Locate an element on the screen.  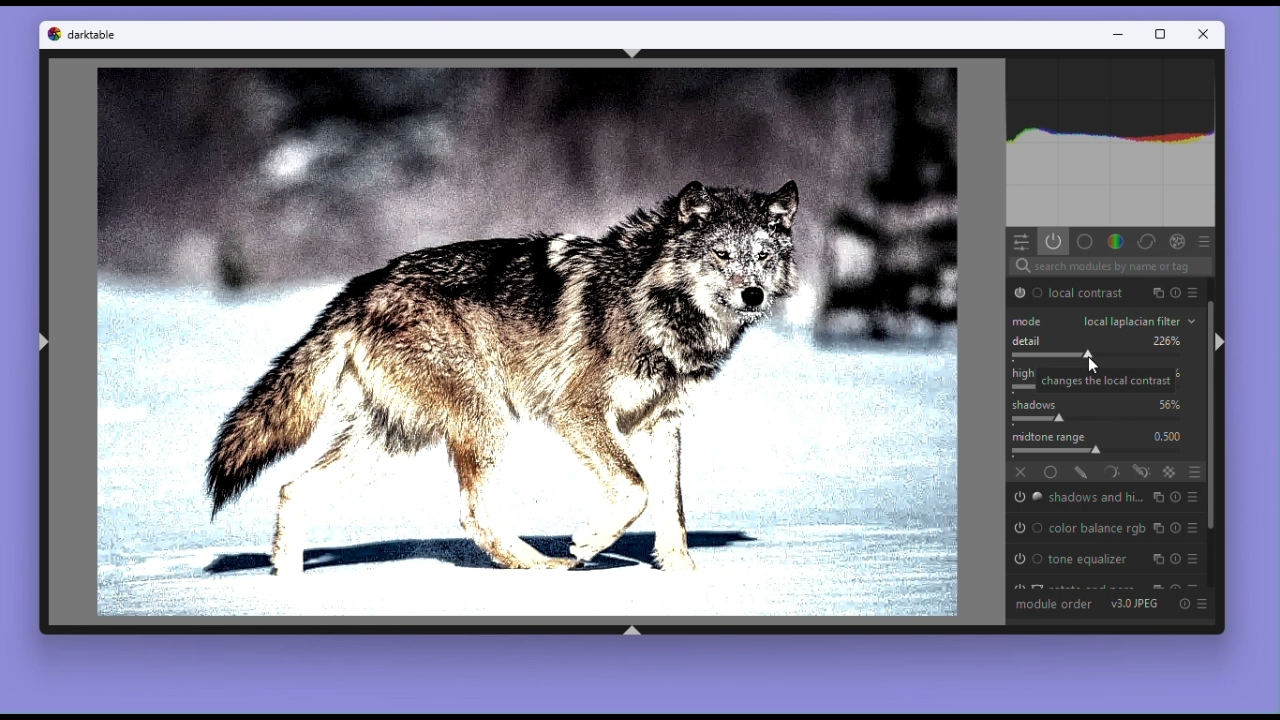
search modules by name or tag is located at coordinates (1180, 292).